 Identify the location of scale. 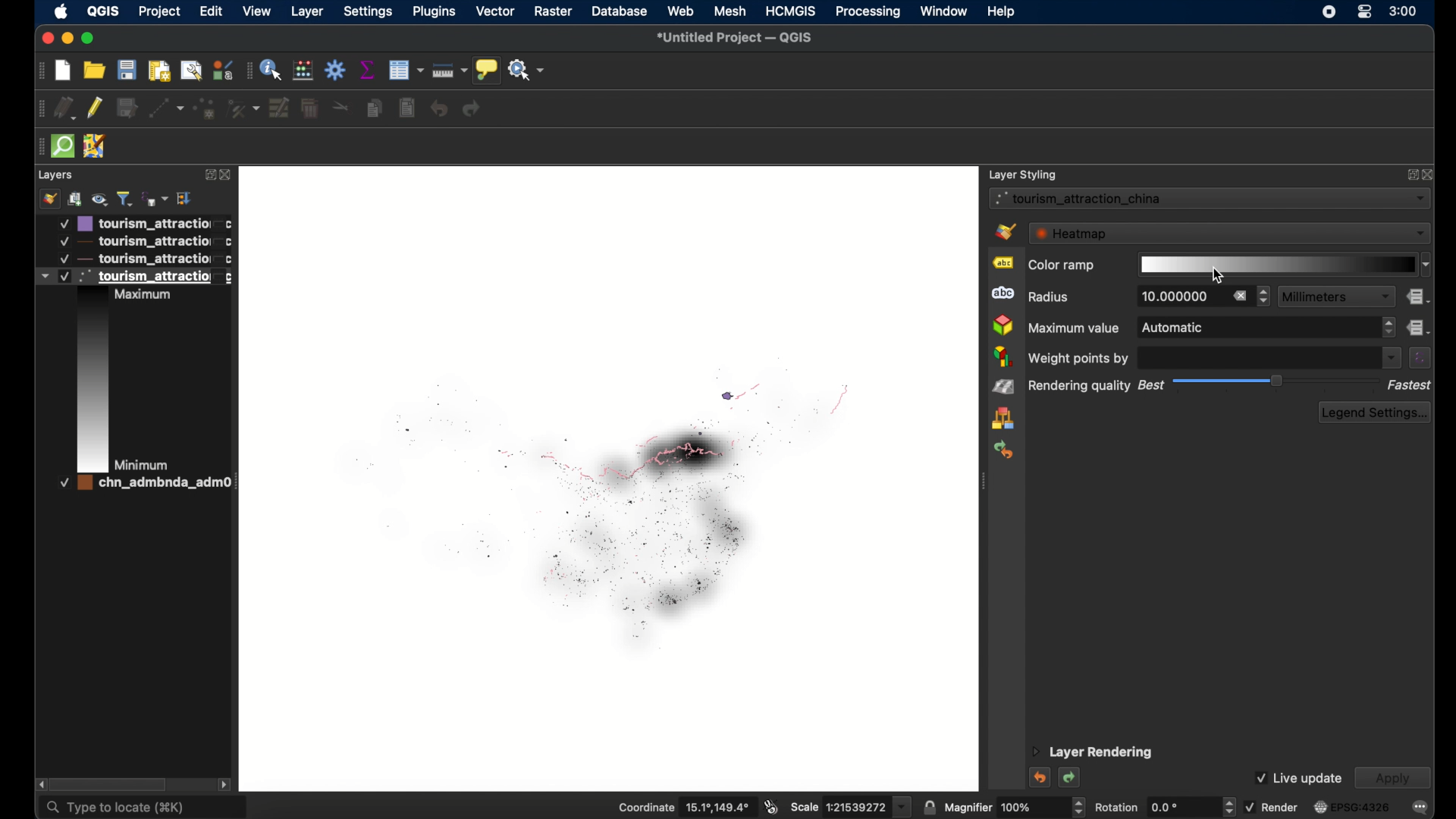
(851, 806).